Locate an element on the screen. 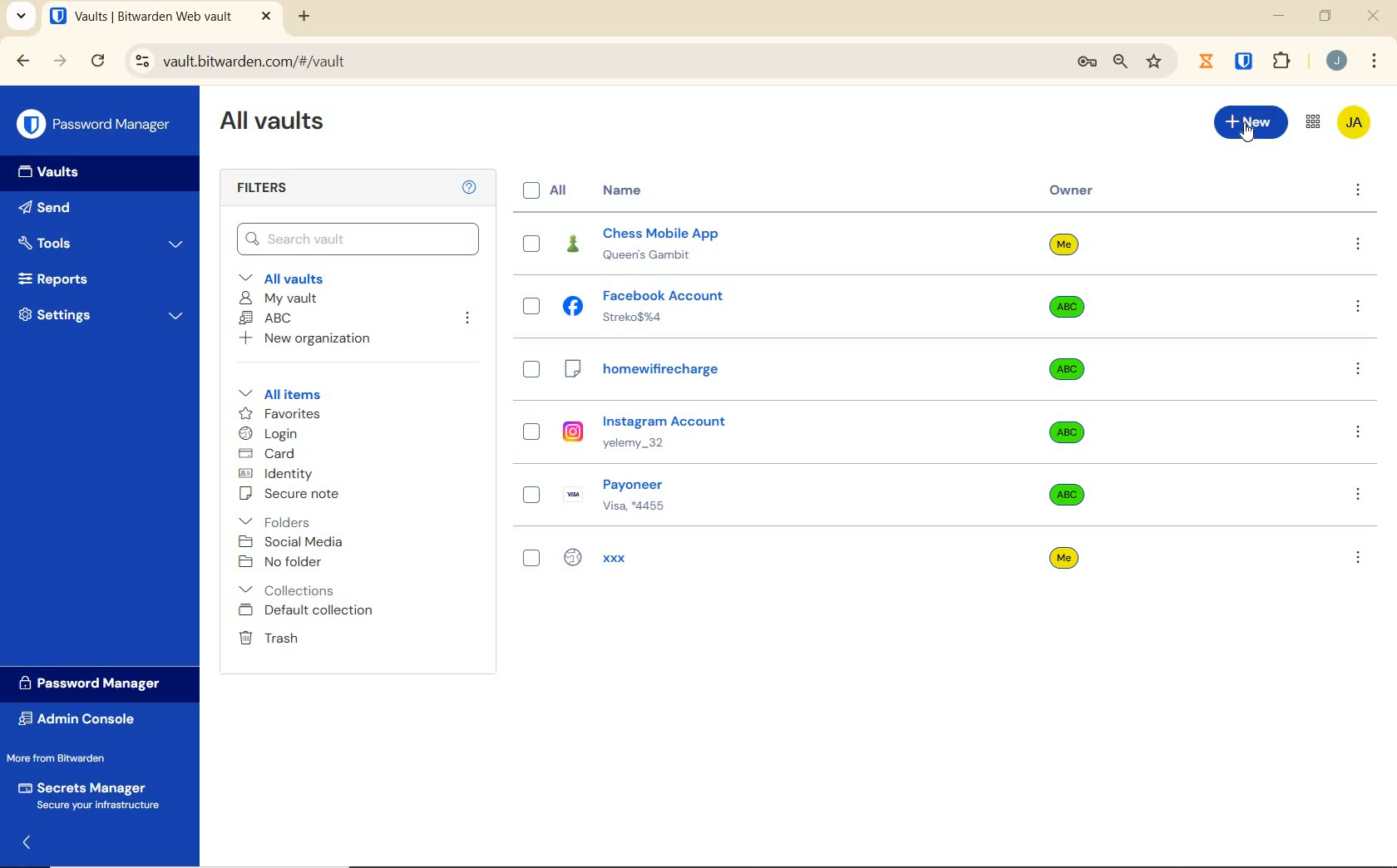 This screenshot has height=868, width=1397. close is located at coordinates (1374, 14).